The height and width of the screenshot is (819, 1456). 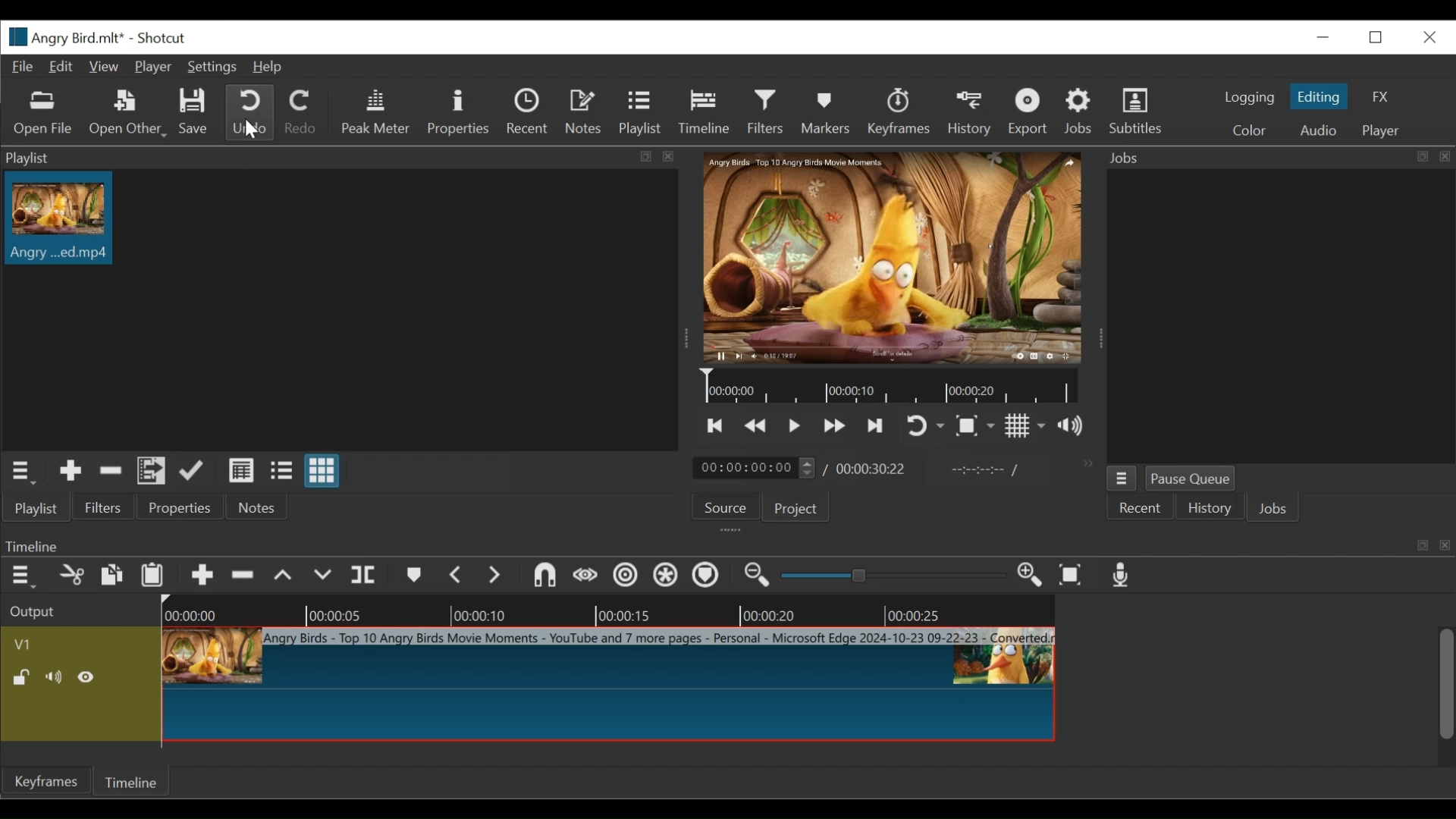 What do you see at coordinates (1072, 575) in the screenshot?
I see `zoom timeline to fit` at bounding box center [1072, 575].